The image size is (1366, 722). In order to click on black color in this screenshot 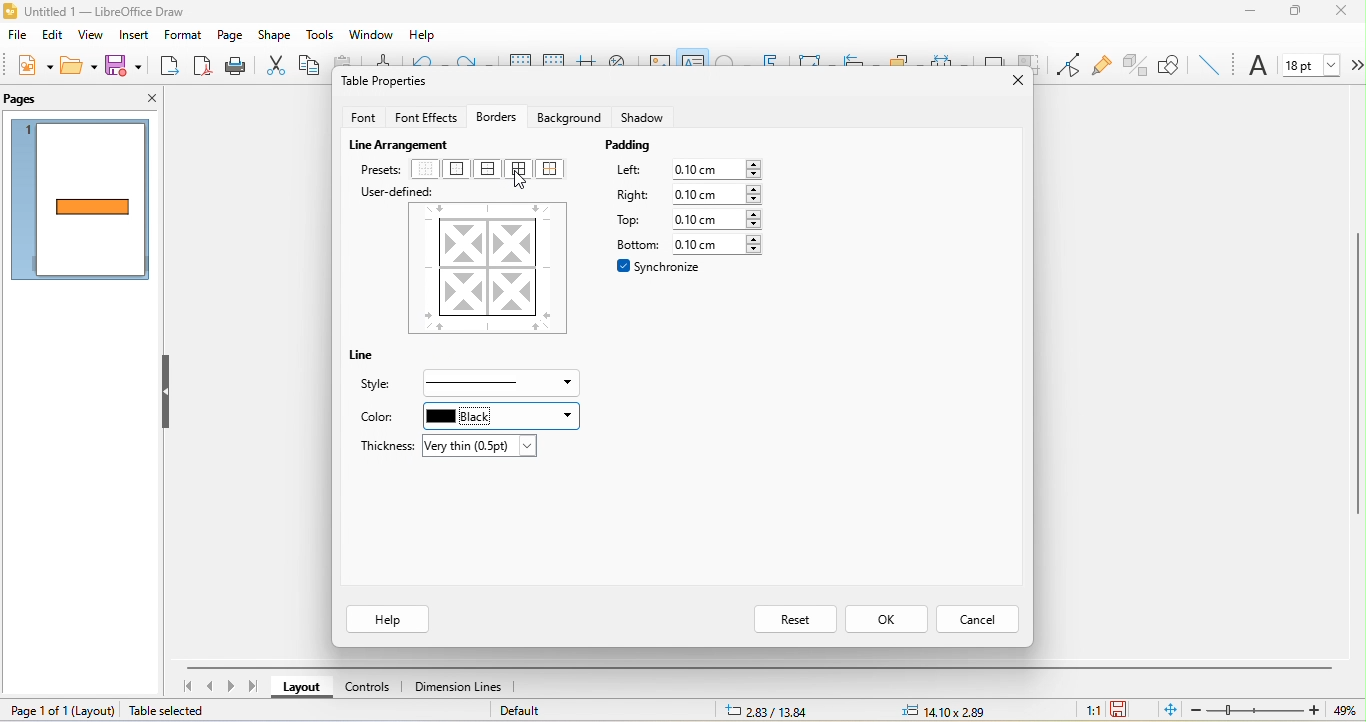, I will do `click(499, 416)`.